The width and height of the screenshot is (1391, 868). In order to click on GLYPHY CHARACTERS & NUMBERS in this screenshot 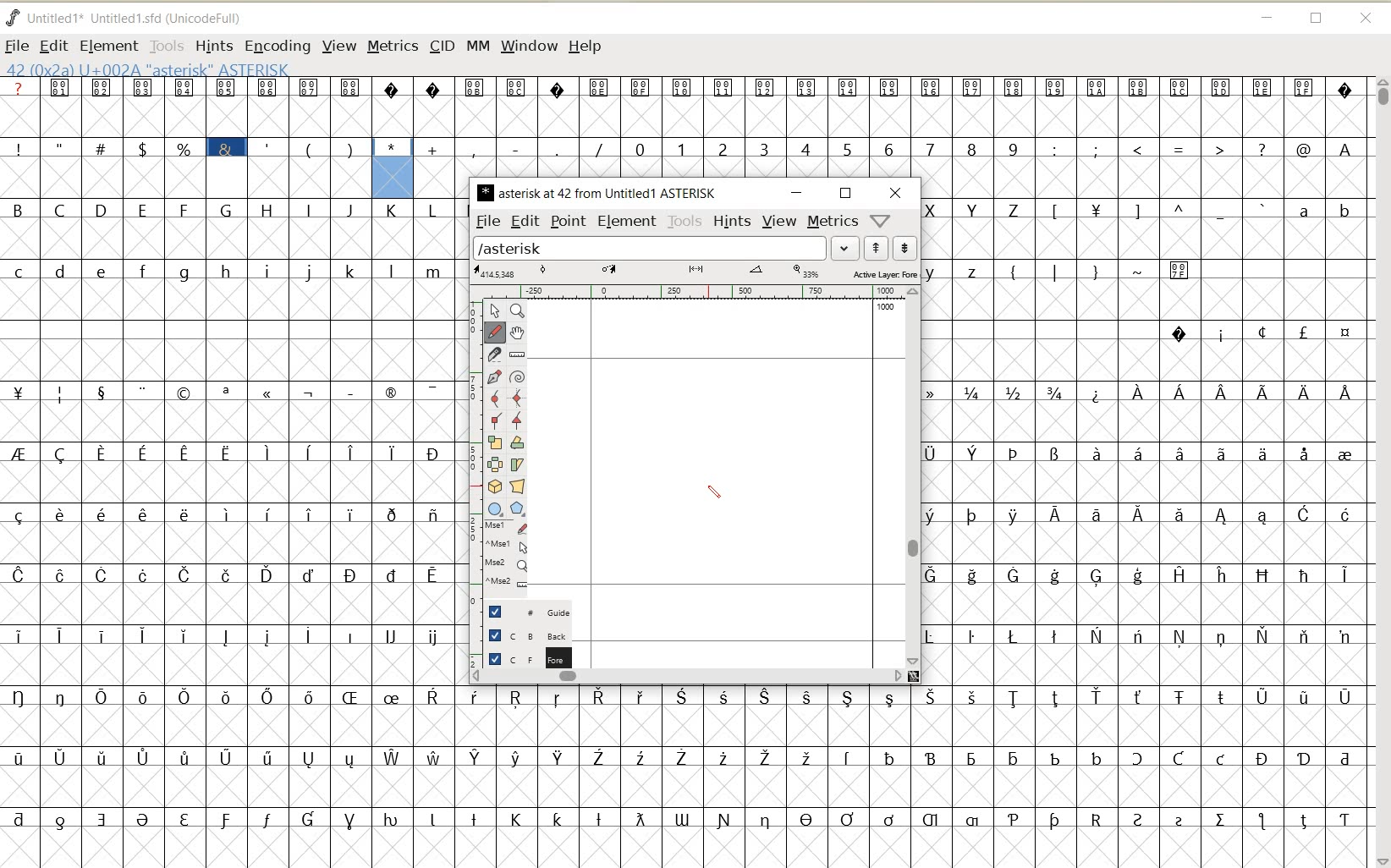, I will do `click(1145, 470)`.